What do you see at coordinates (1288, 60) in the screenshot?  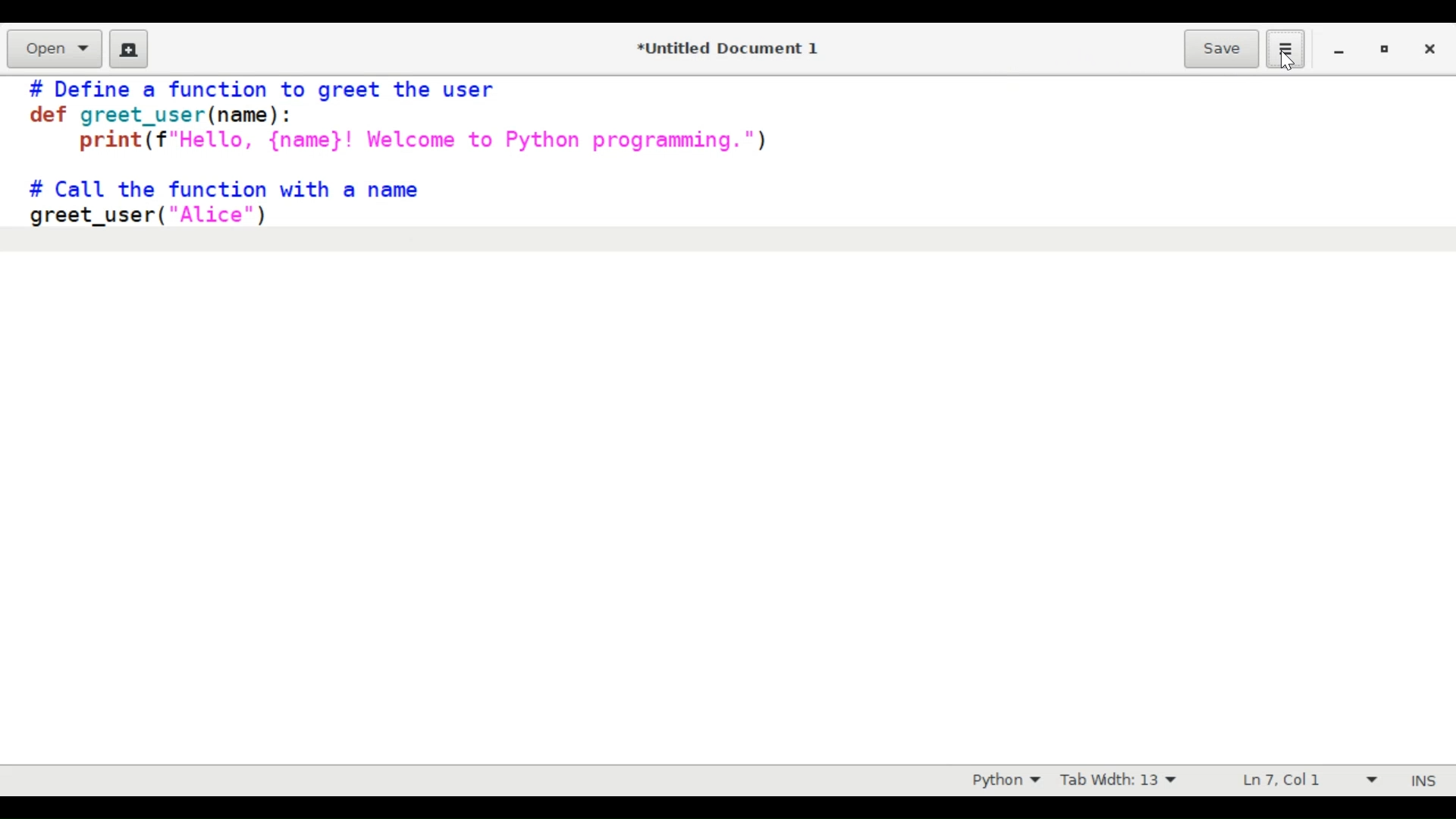 I see `Cursor` at bounding box center [1288, 60].